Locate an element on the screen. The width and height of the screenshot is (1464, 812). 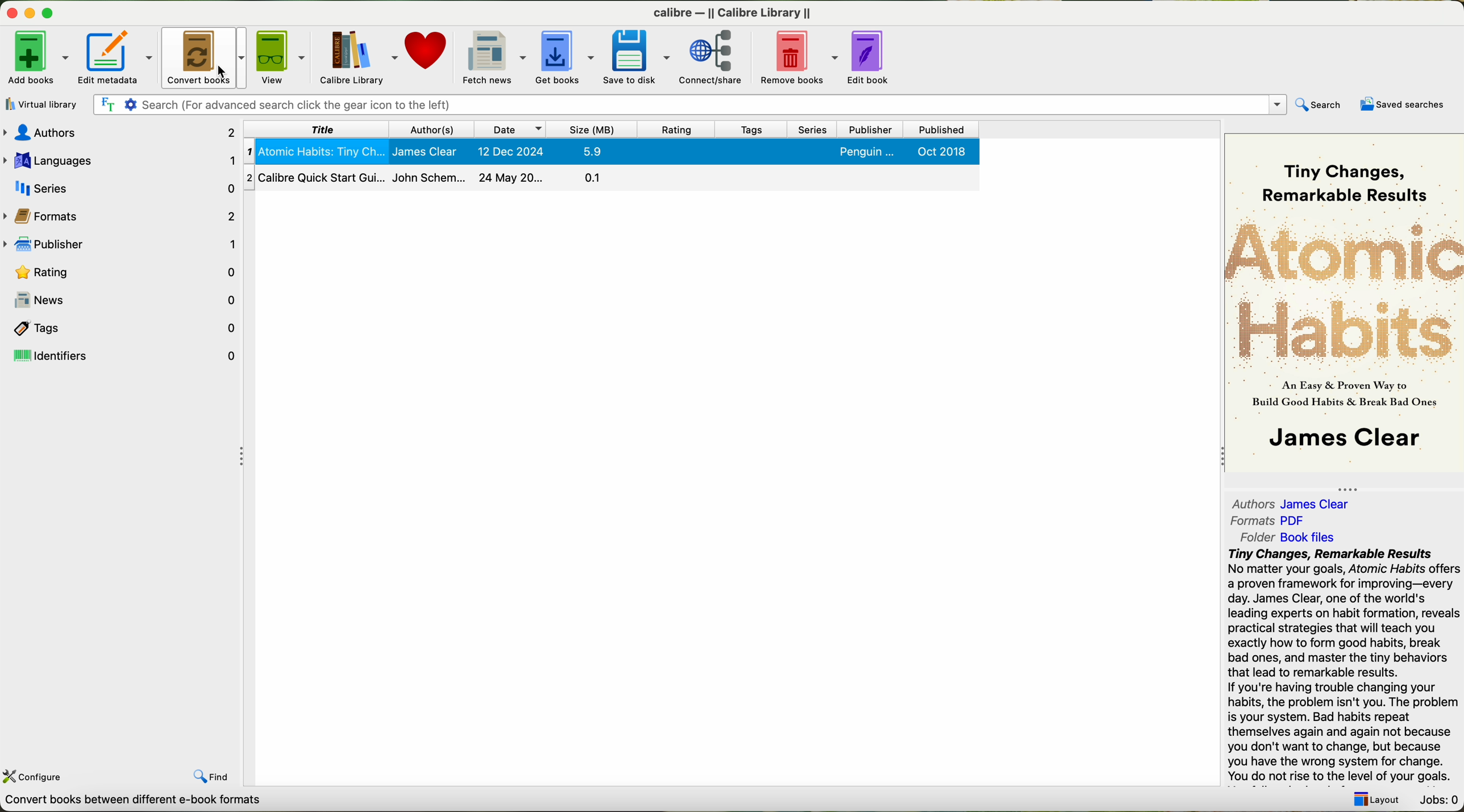
series is located at coordinates (813, 130).